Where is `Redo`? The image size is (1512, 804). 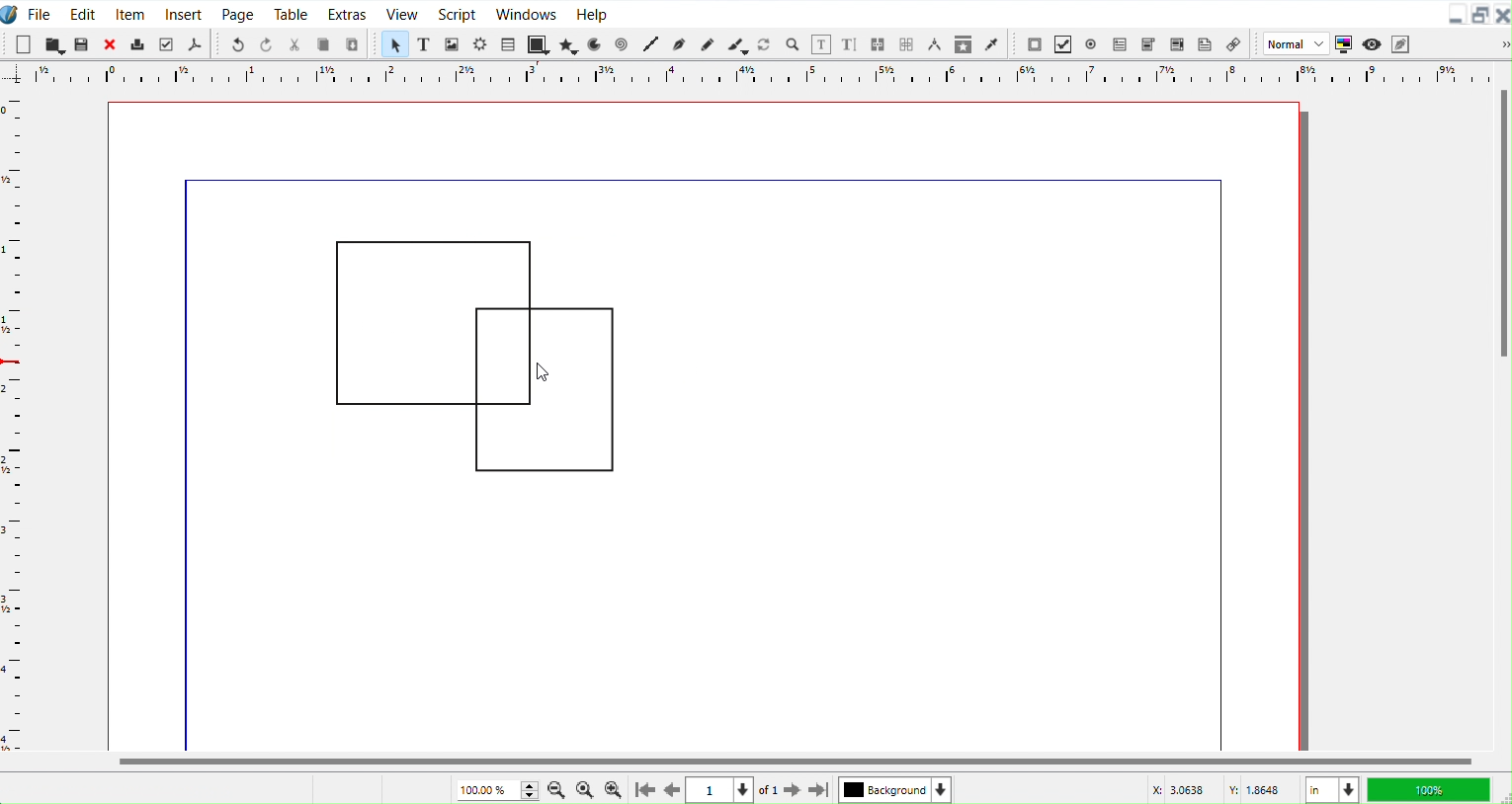
Redo is located at coordinates (266, 43).